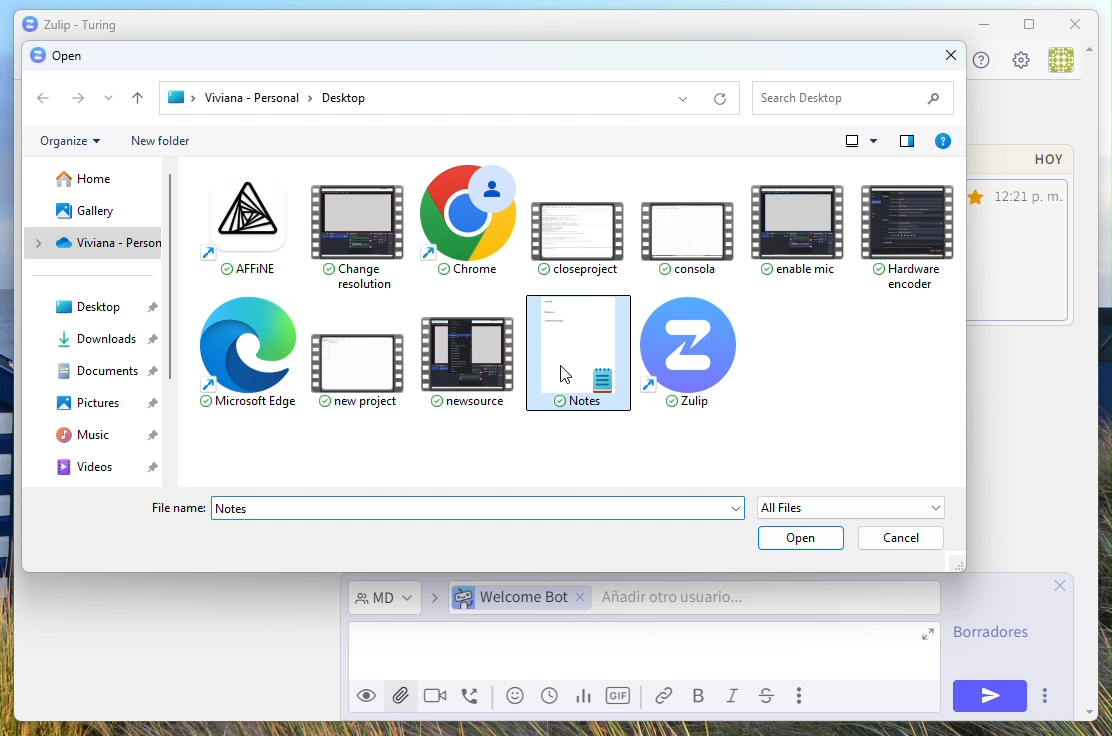  Describe the element at coordinates (113, 310) in the screenshot. I see `Desktope` at that location.